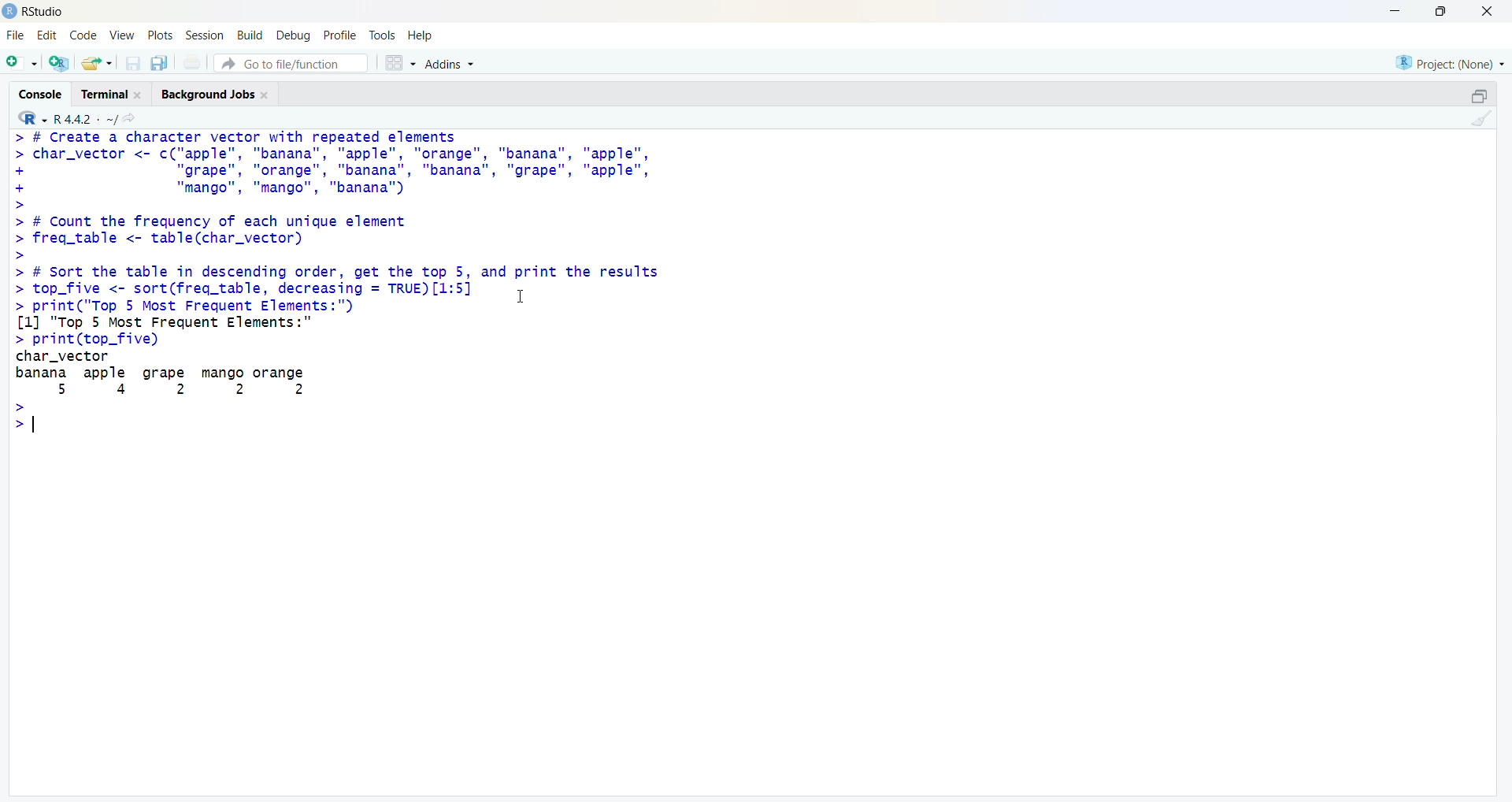  Describe the element at coordinates (43, 92) in the screenshot. I see `Console` at that location.